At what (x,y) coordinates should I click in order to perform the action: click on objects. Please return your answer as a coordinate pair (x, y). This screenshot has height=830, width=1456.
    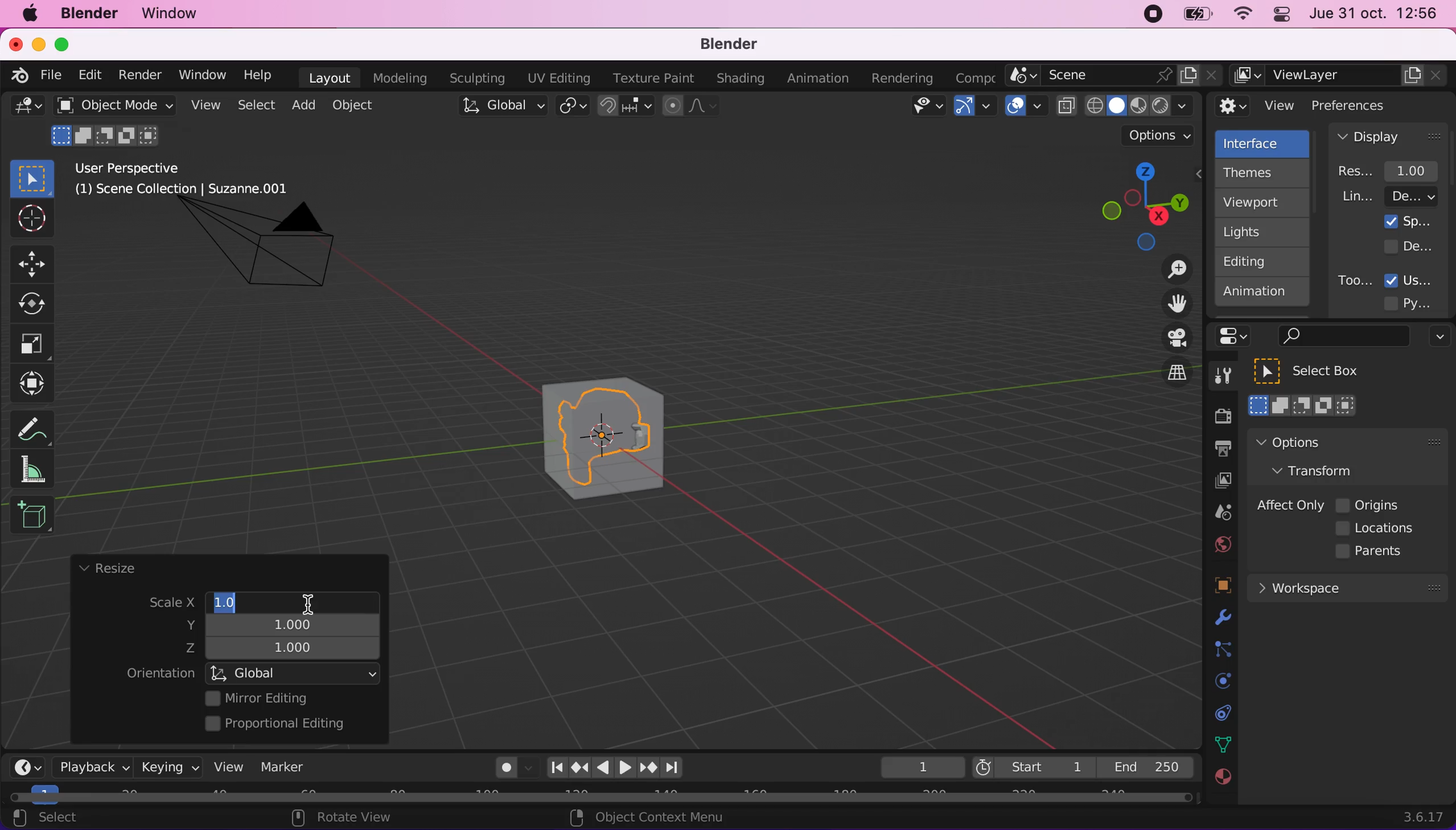
    Looking at the image, I should click on (1209, 587).